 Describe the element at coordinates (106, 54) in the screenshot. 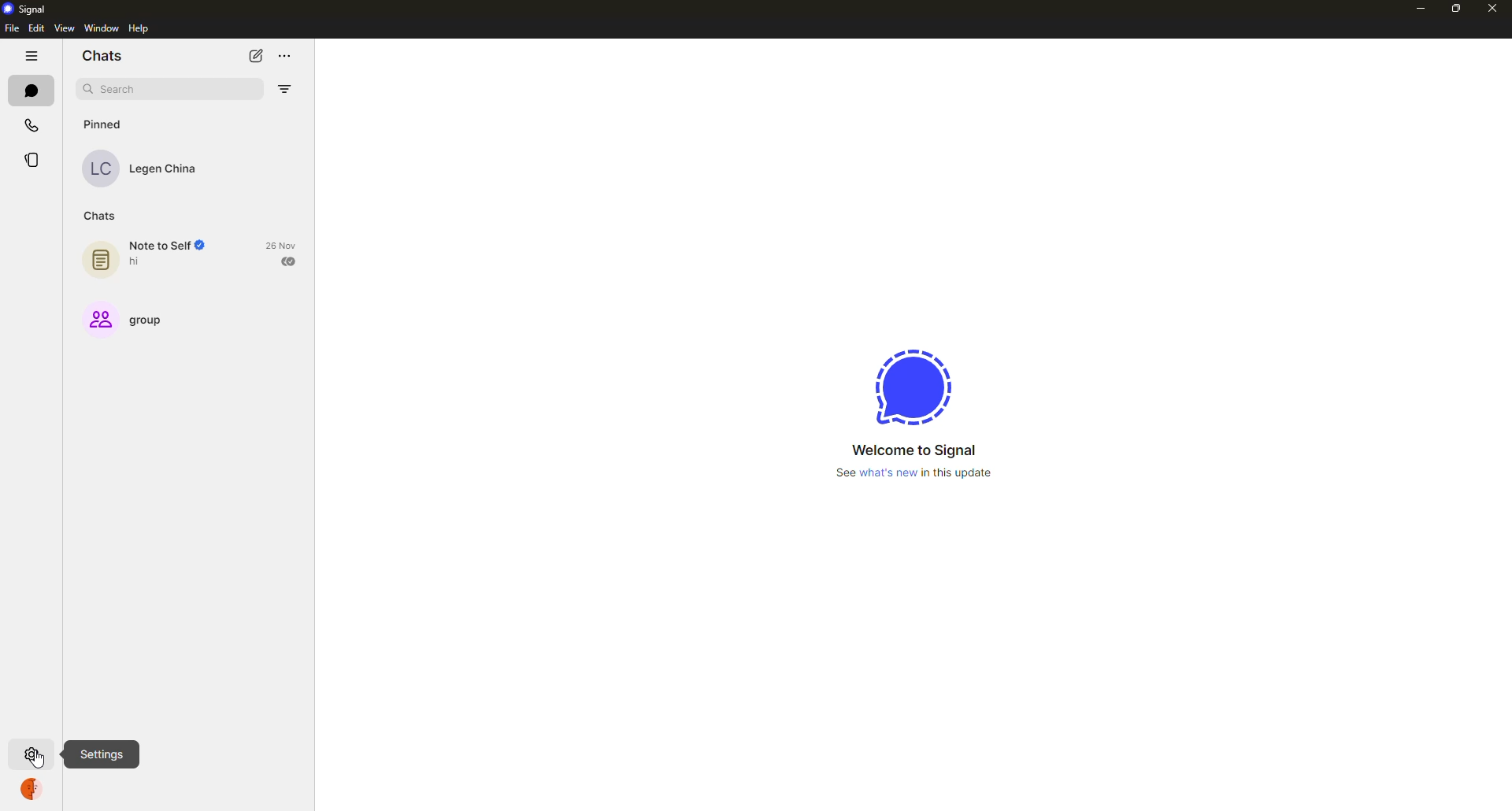

I see `chats` at that location.